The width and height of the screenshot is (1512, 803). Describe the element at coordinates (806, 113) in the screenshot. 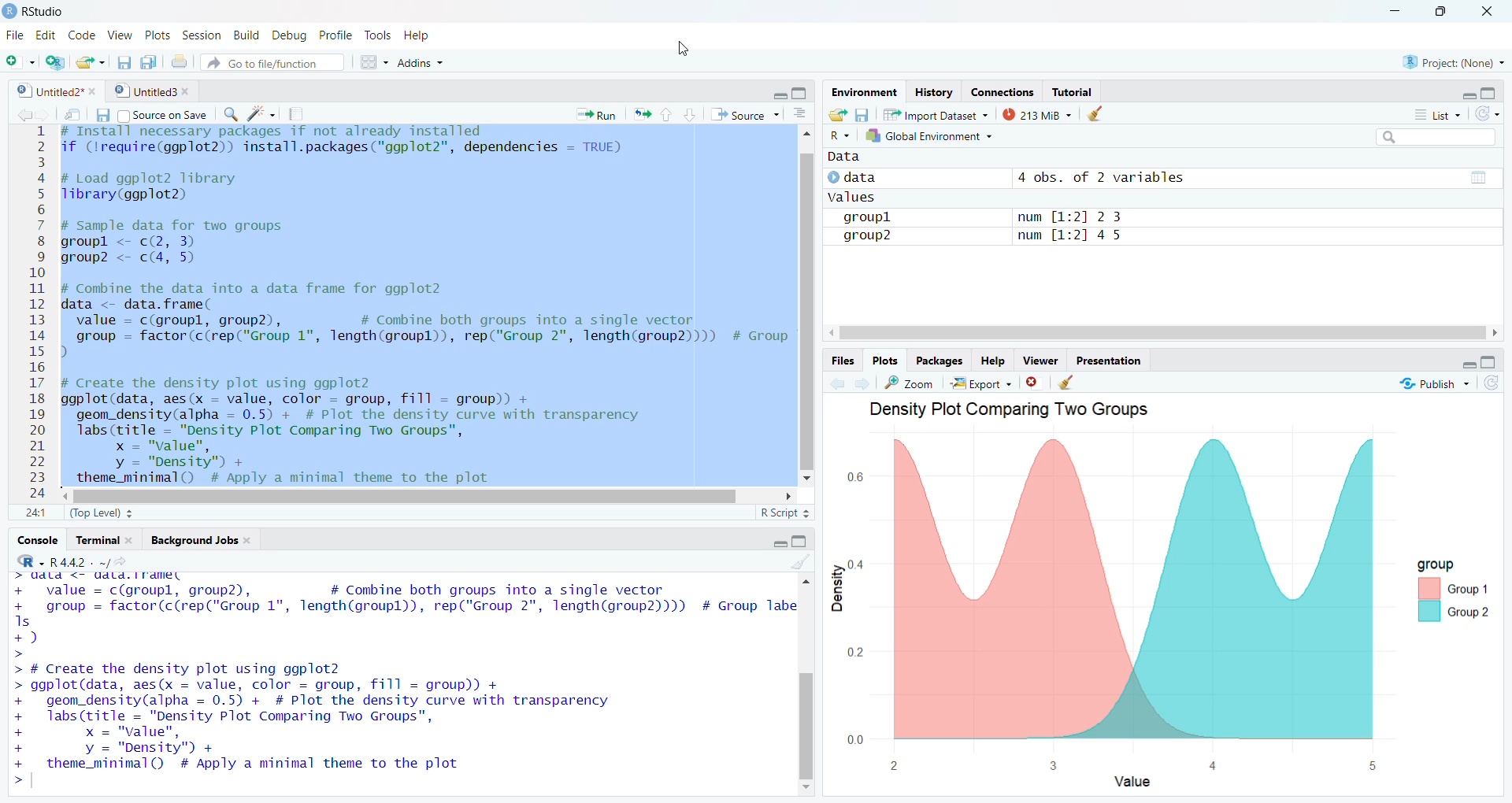

I see `` at that location.